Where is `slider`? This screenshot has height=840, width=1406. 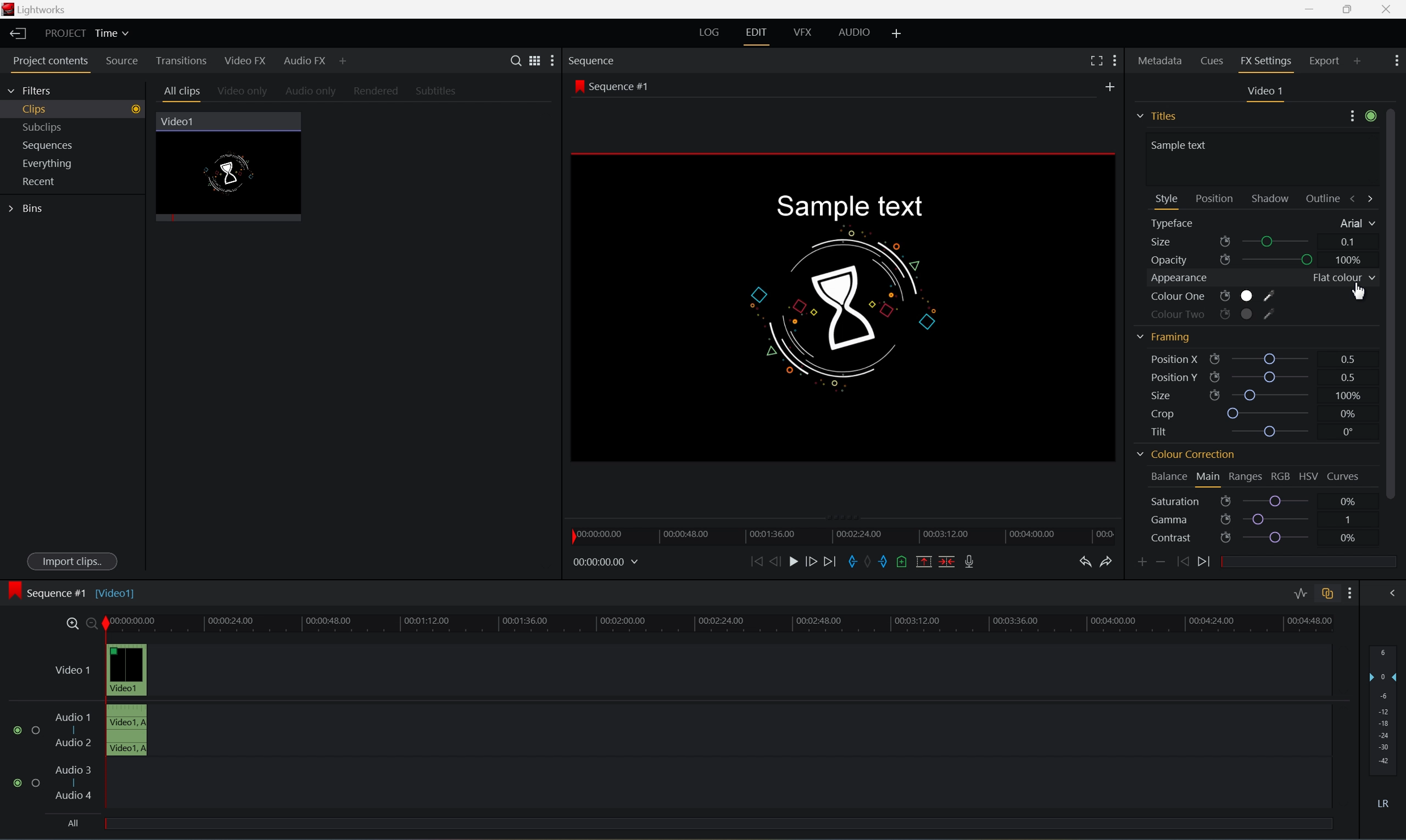 slider is located at coordinates (1277, 518).